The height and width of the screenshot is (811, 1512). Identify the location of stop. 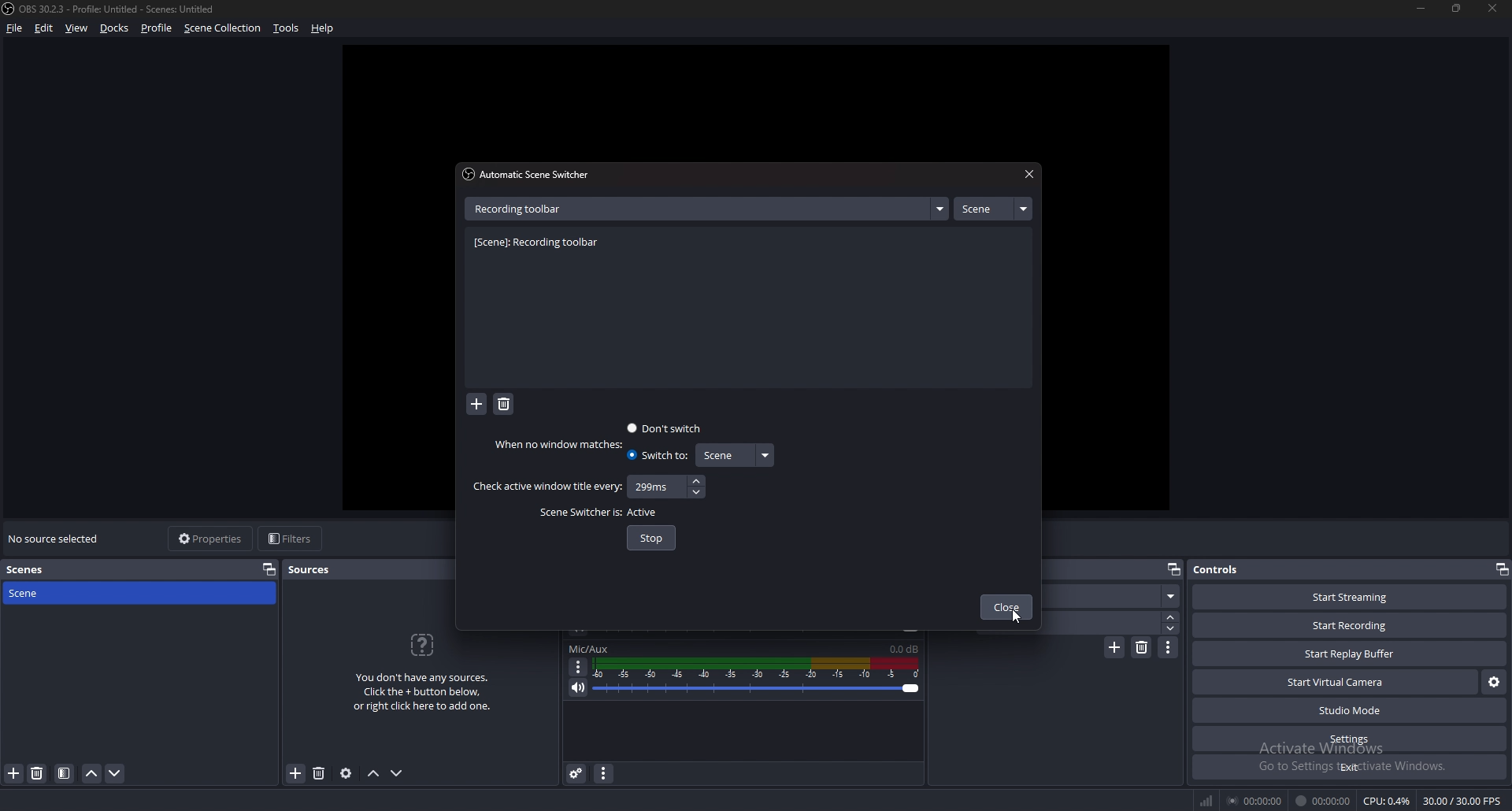
(652, 538).